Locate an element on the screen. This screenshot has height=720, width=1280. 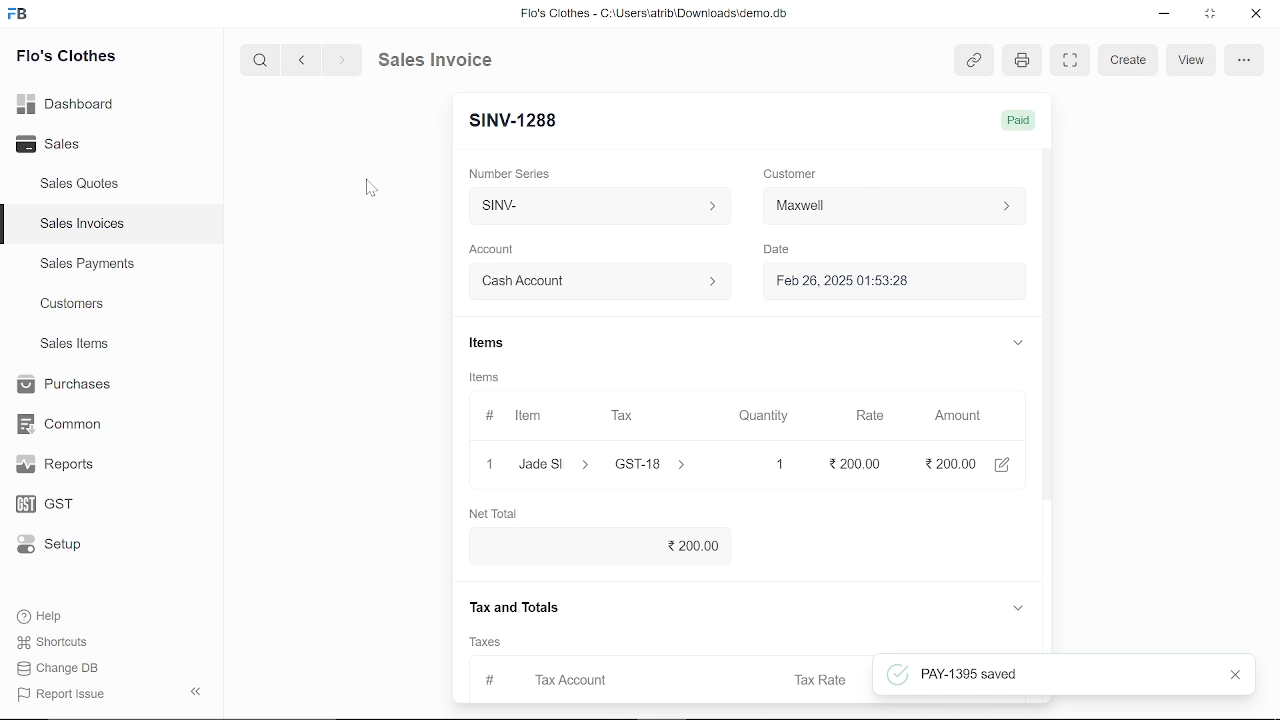
Sales Invoices is located at coordinates (89, 226).